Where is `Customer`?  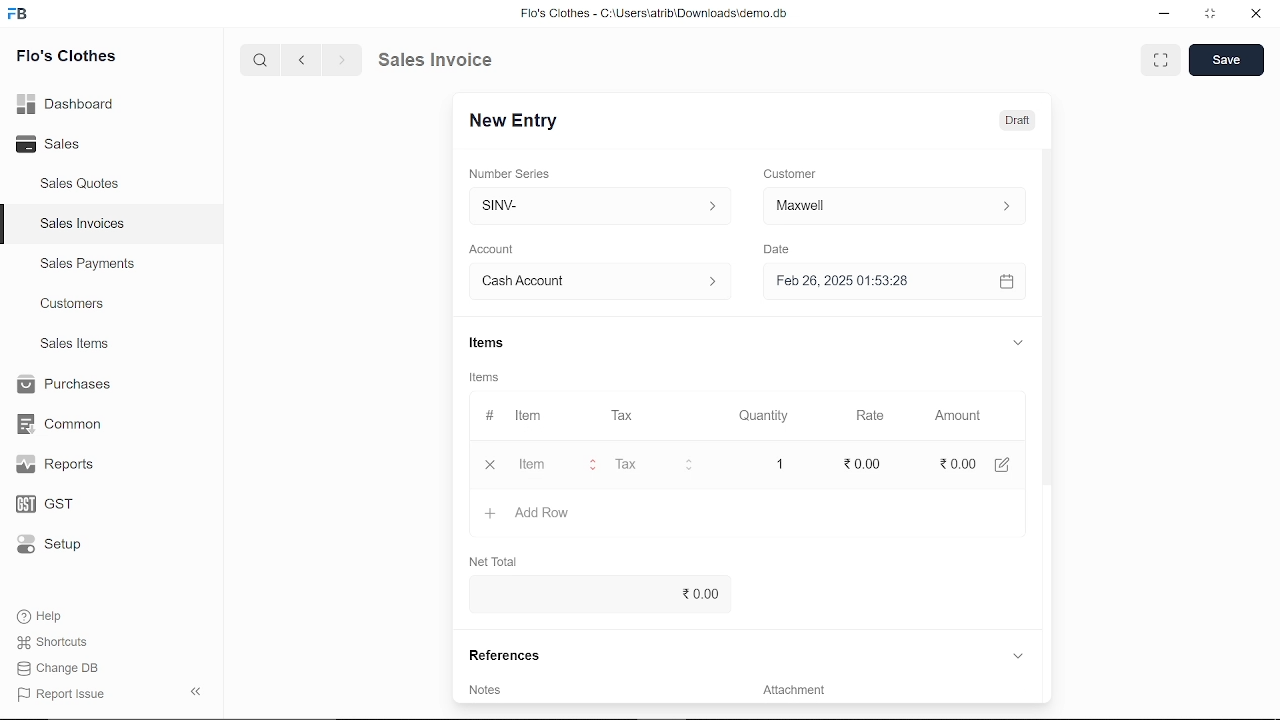 Customer is located at coordinates (894, 205).